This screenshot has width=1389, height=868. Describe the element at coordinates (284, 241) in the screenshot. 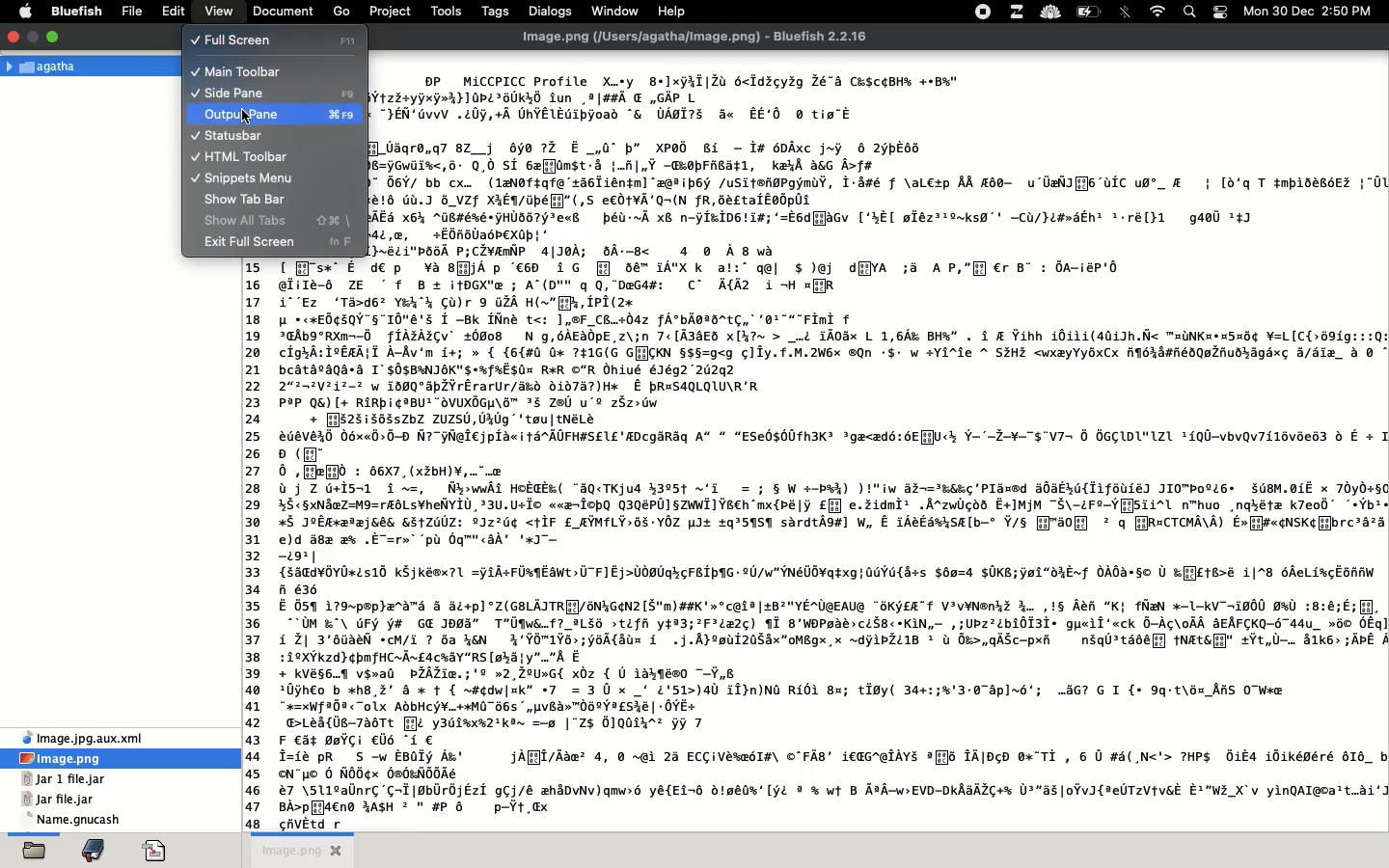

I see `exit full screen` at that location.